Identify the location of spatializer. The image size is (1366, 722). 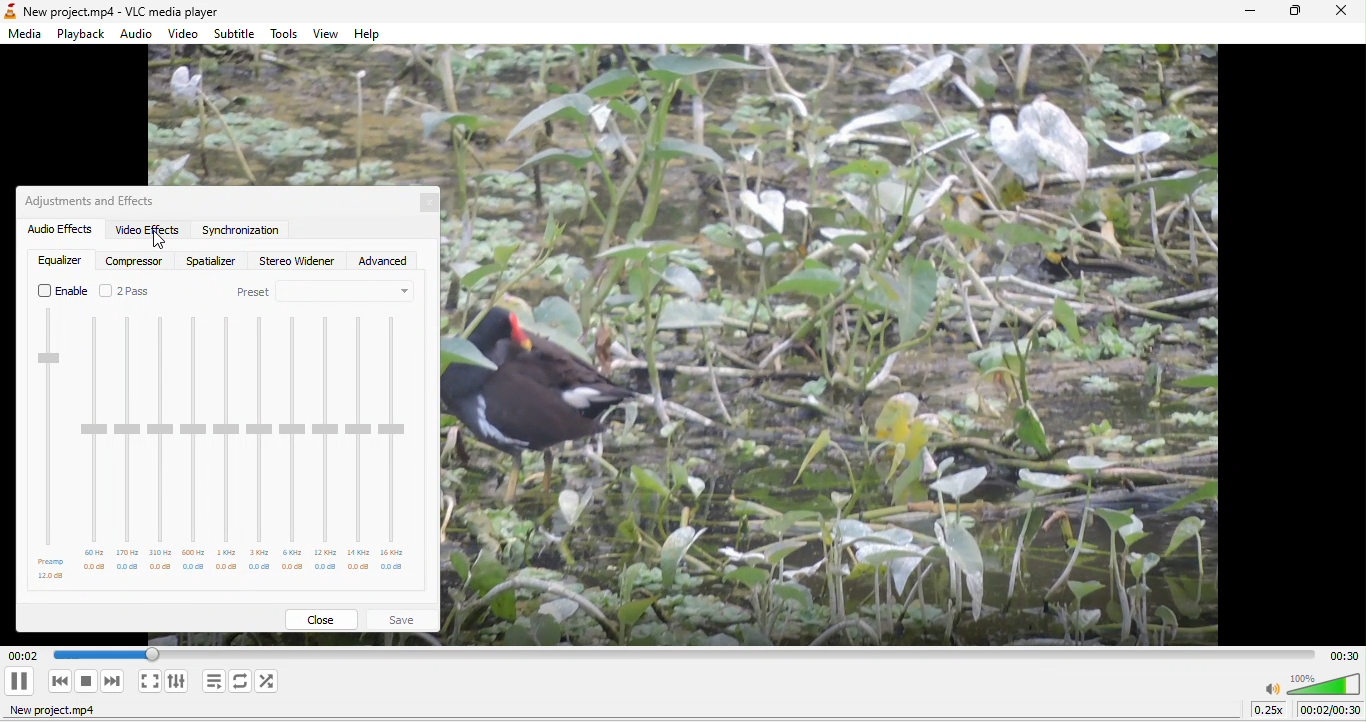
(209, 262).